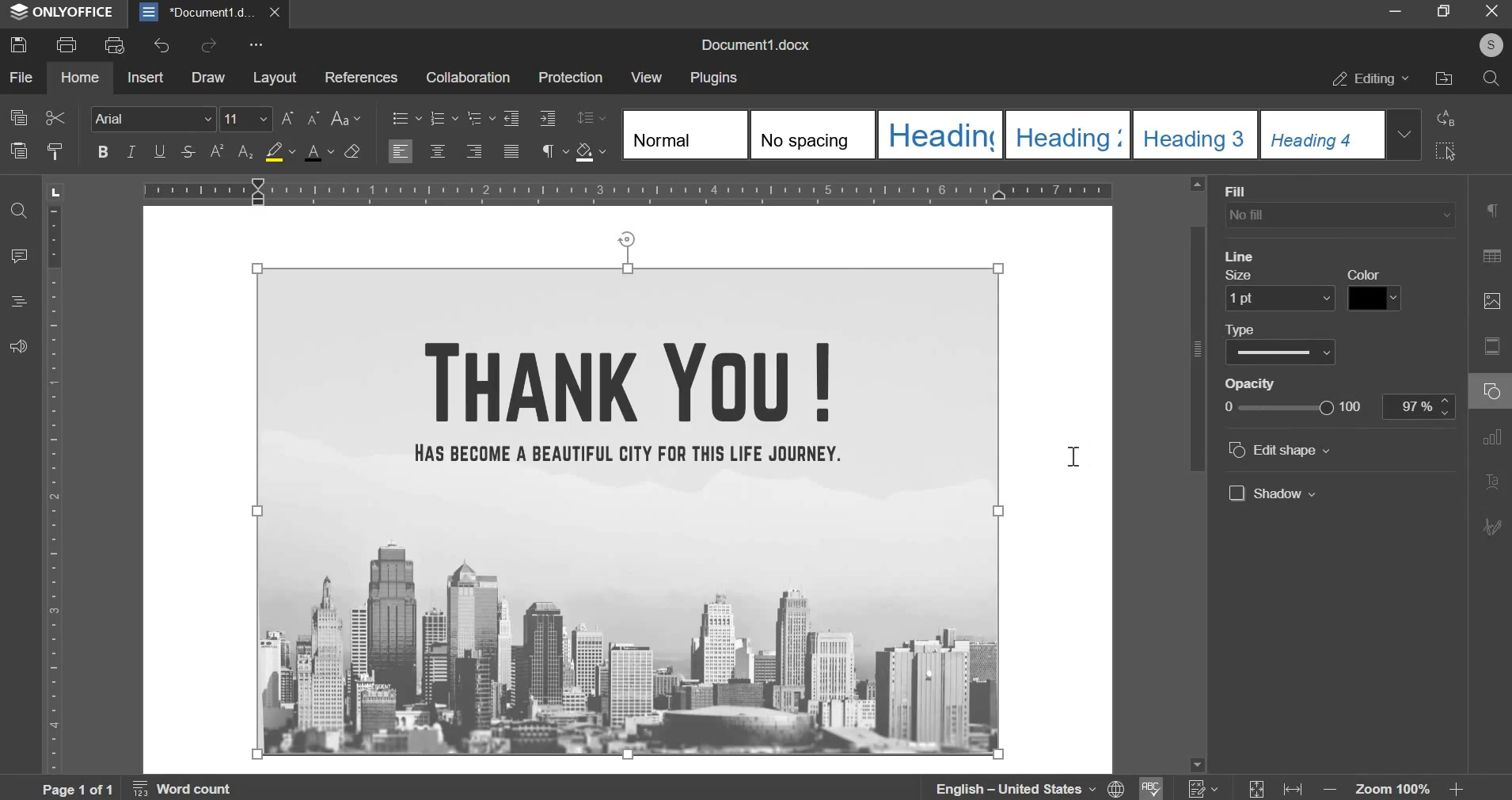  Describe the element at coordinates (1446, 117) in the screenshot. I see `replace` at that location.